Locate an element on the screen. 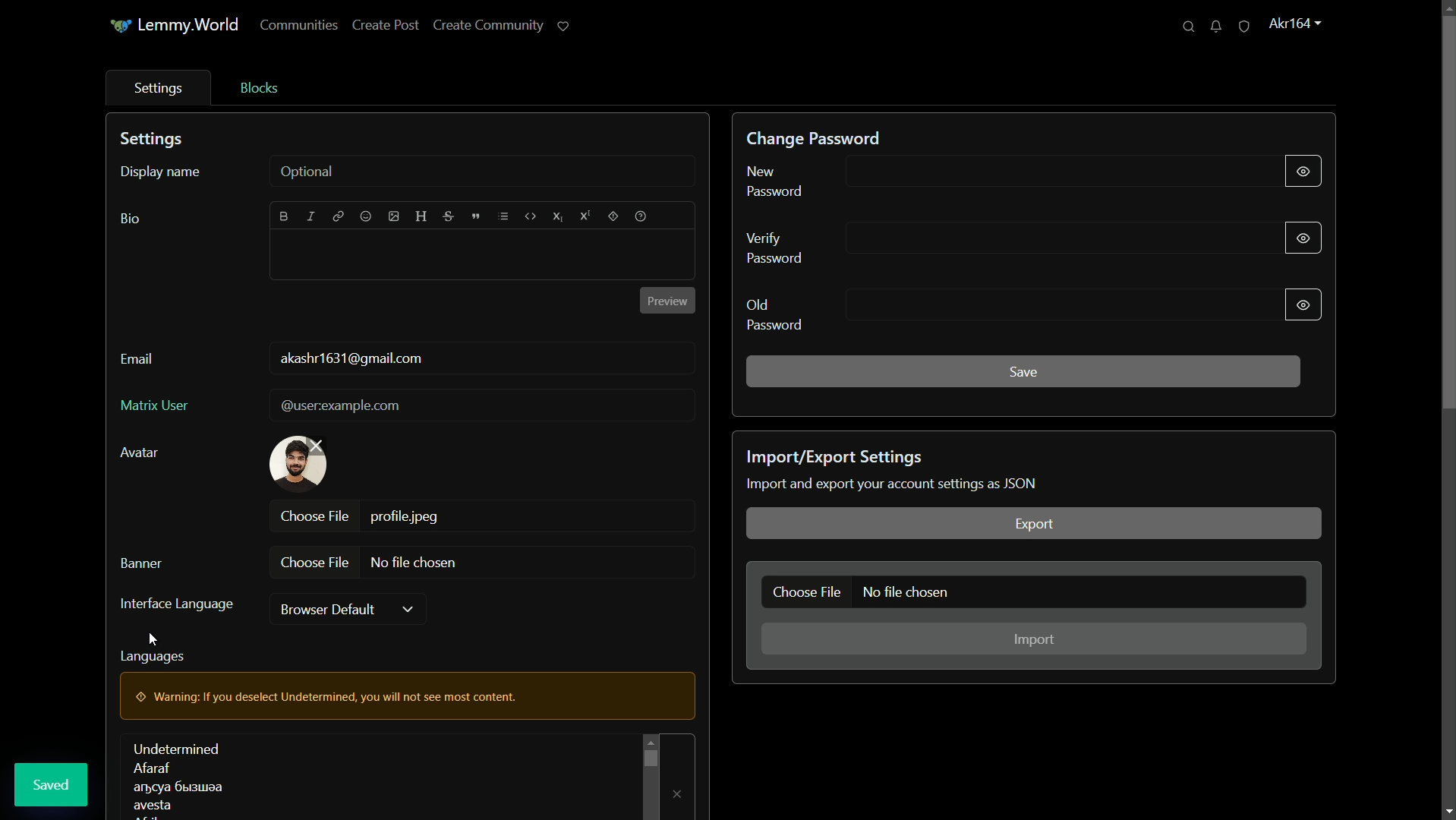 Image resolution: width=1456 pixels, height=820 pixels. text is located at coordinates (894, 484).